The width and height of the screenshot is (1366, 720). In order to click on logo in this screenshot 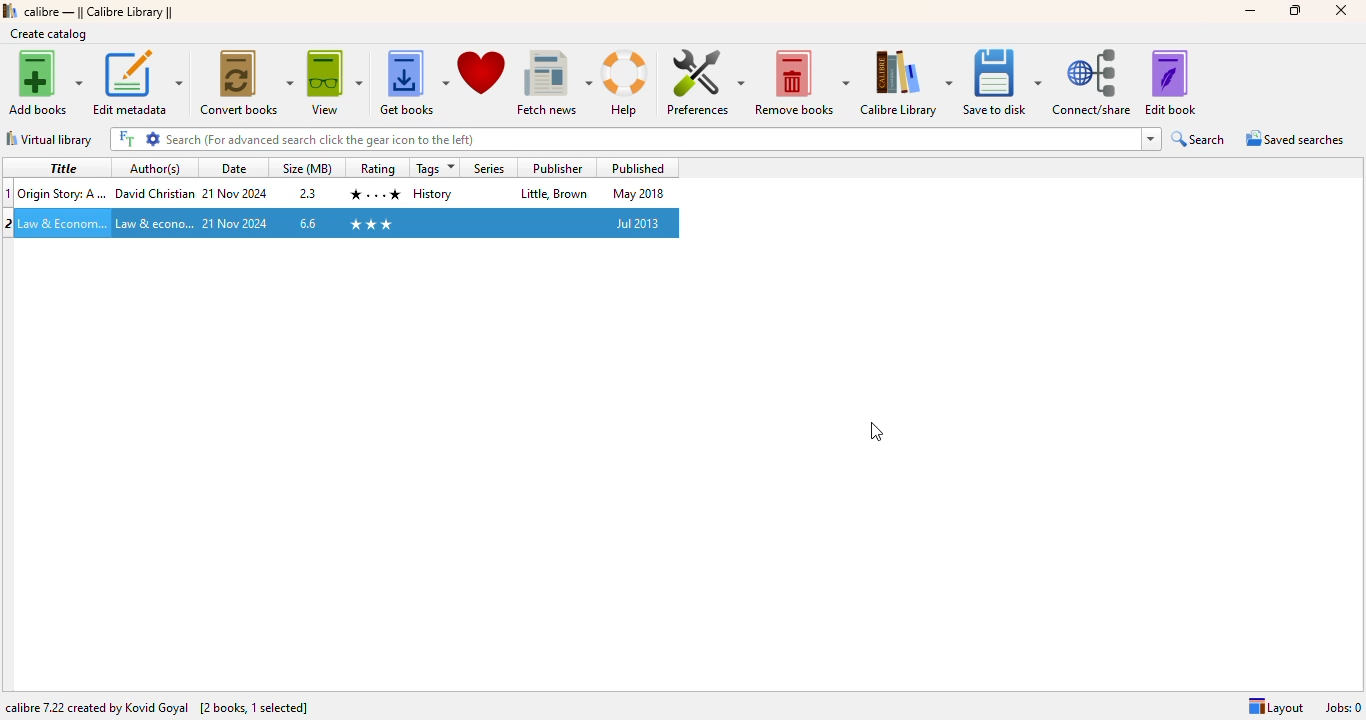, I will do `click(9, 10)`.